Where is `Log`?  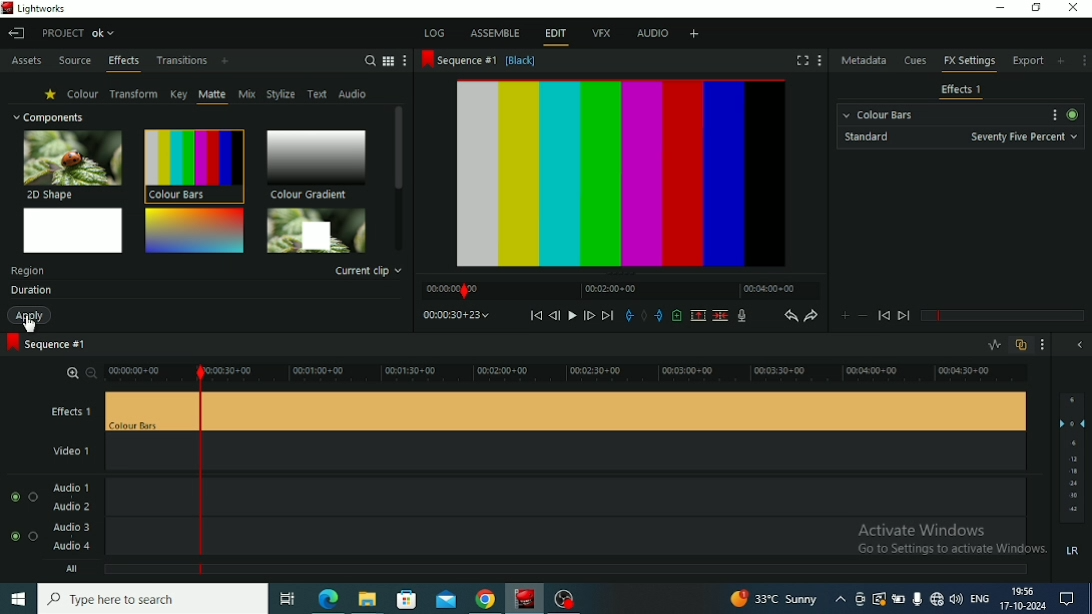 Log is located at coordinates (435, 32).